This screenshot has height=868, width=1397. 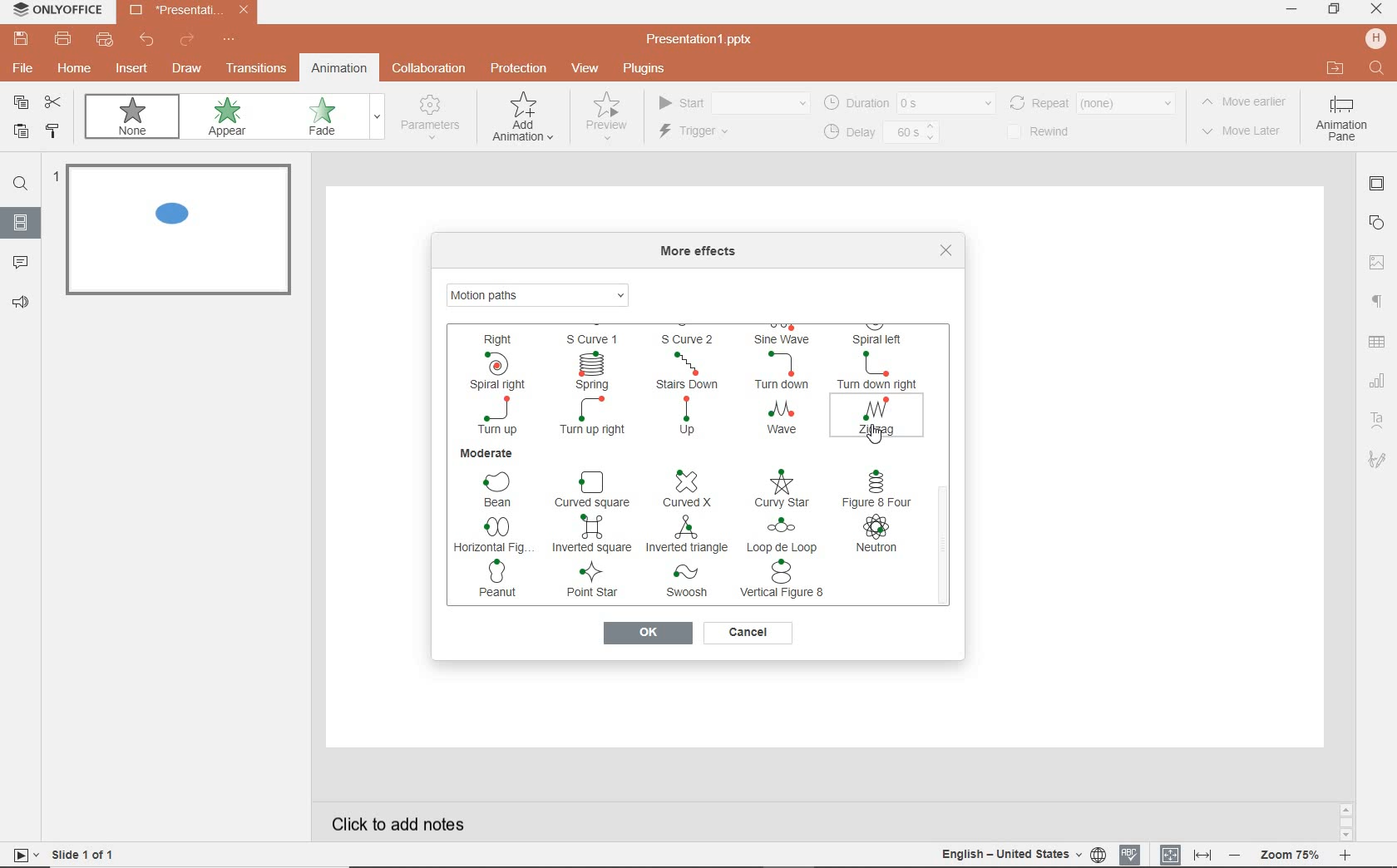 What do you see at coordinates (489, 534) in the screenshot?
I see `horizontal fig` at bounding box center [489, 534].